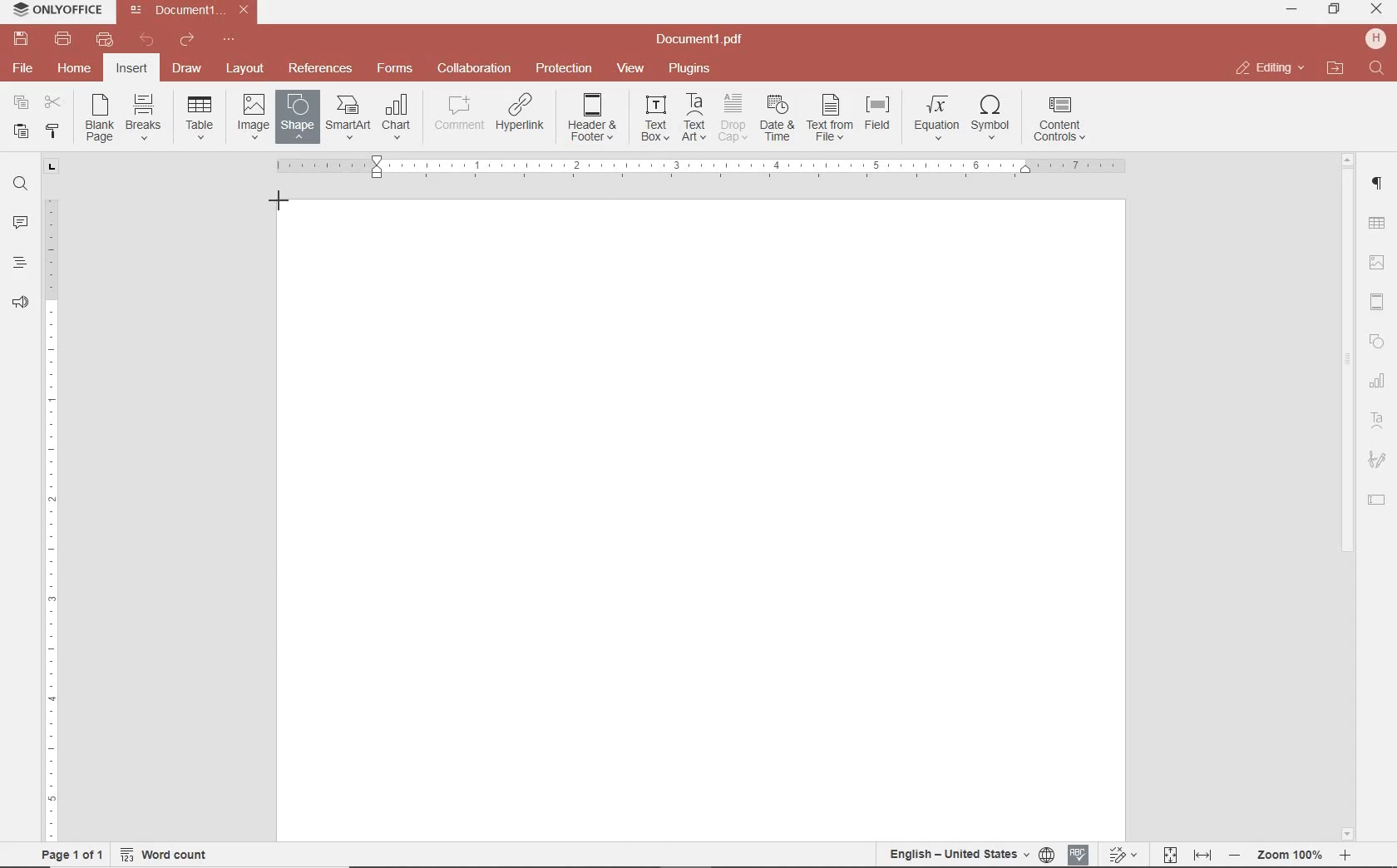 The image size is (1397, 868). I want to click on paste, so click(19, 131).